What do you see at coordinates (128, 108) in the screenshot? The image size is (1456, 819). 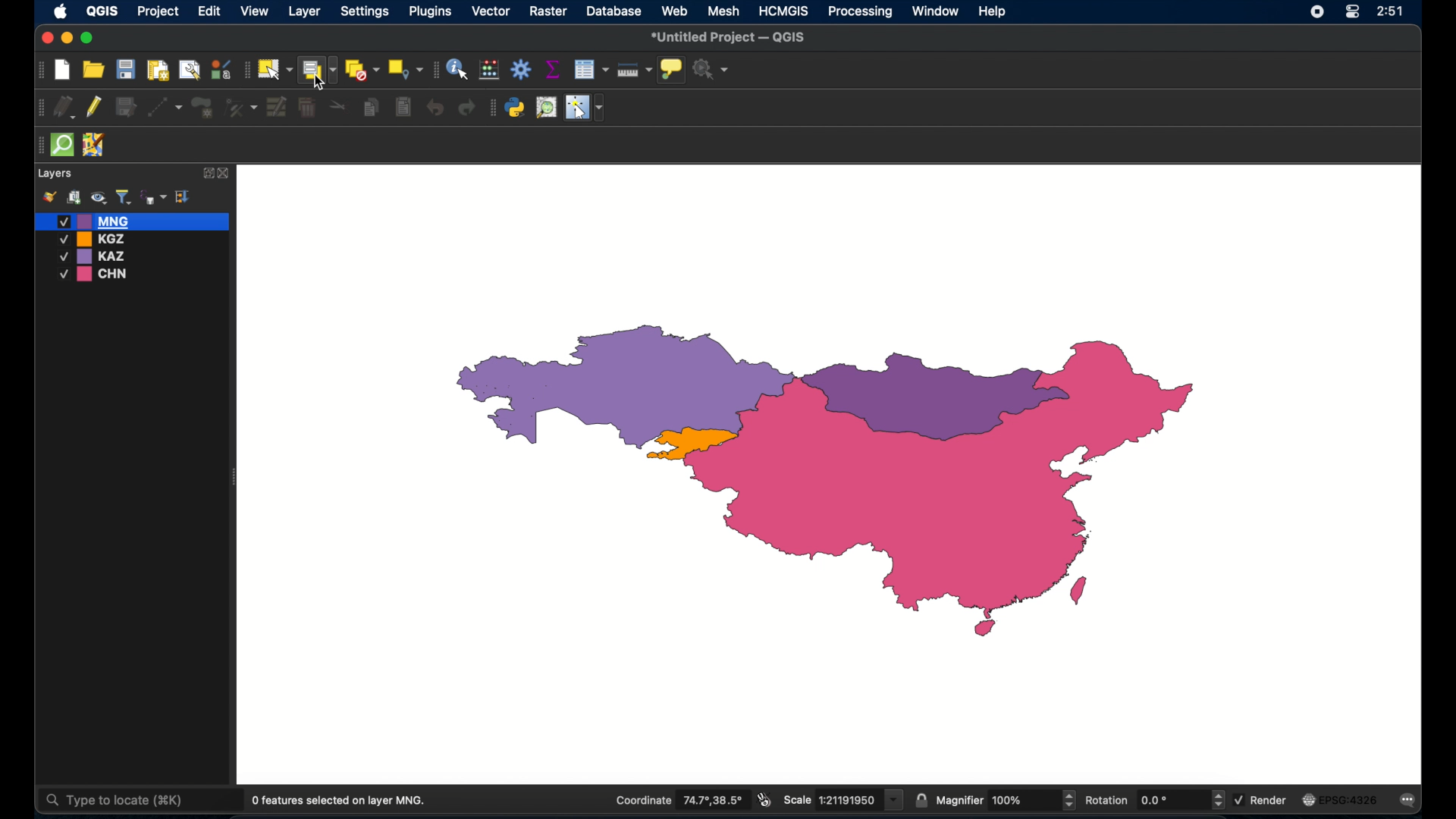 I see `save edits` at bounding box center [128, 108].